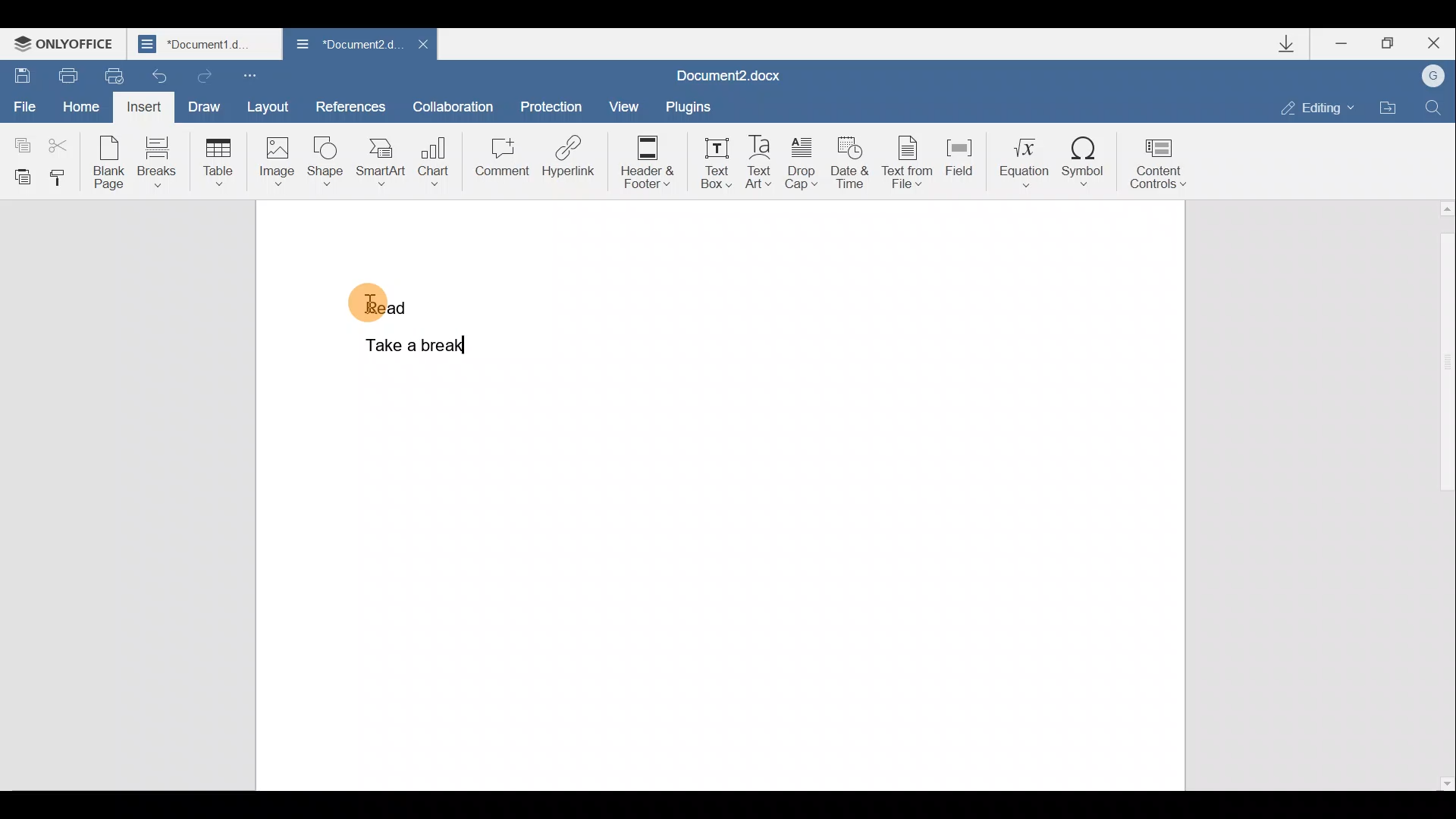 The image size is (1456, 819). Describe the element at coordinates (108, 74) in the screenshot. I see `Quick print` at that location.